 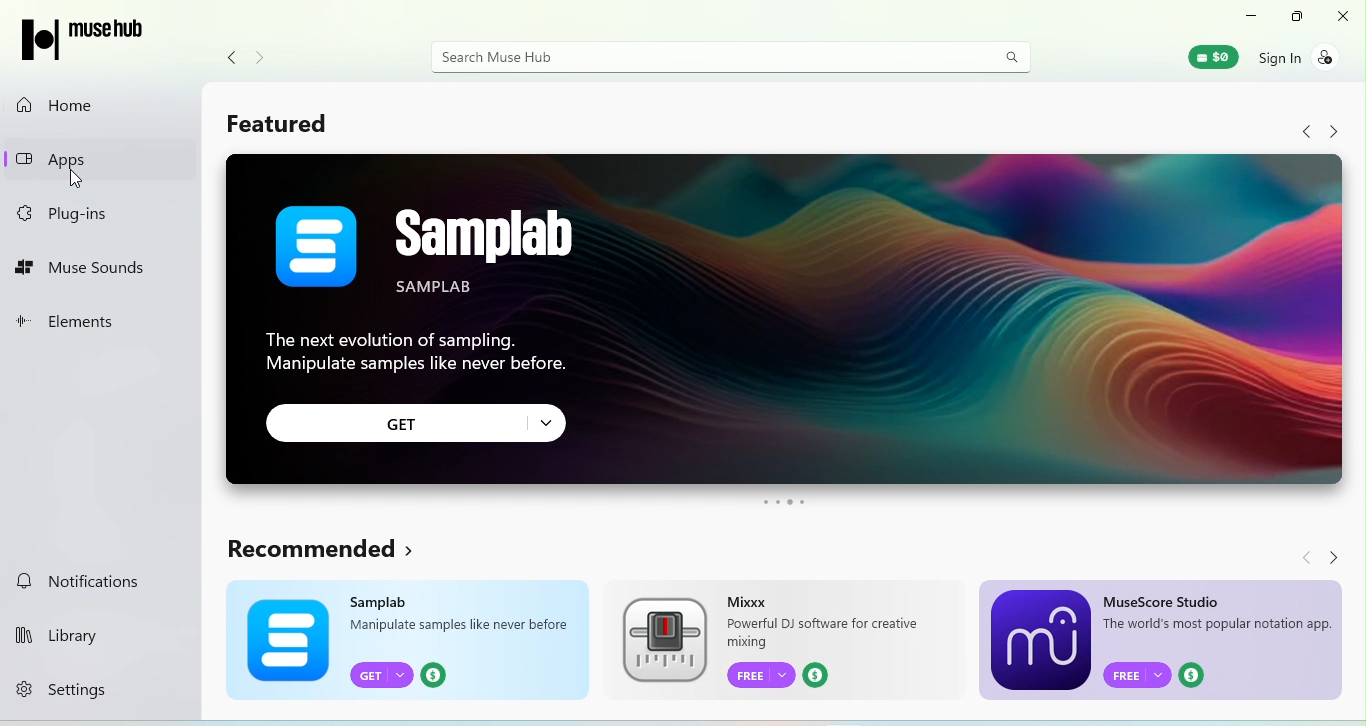 I want to click on &0, so click(x=1212, y=58).